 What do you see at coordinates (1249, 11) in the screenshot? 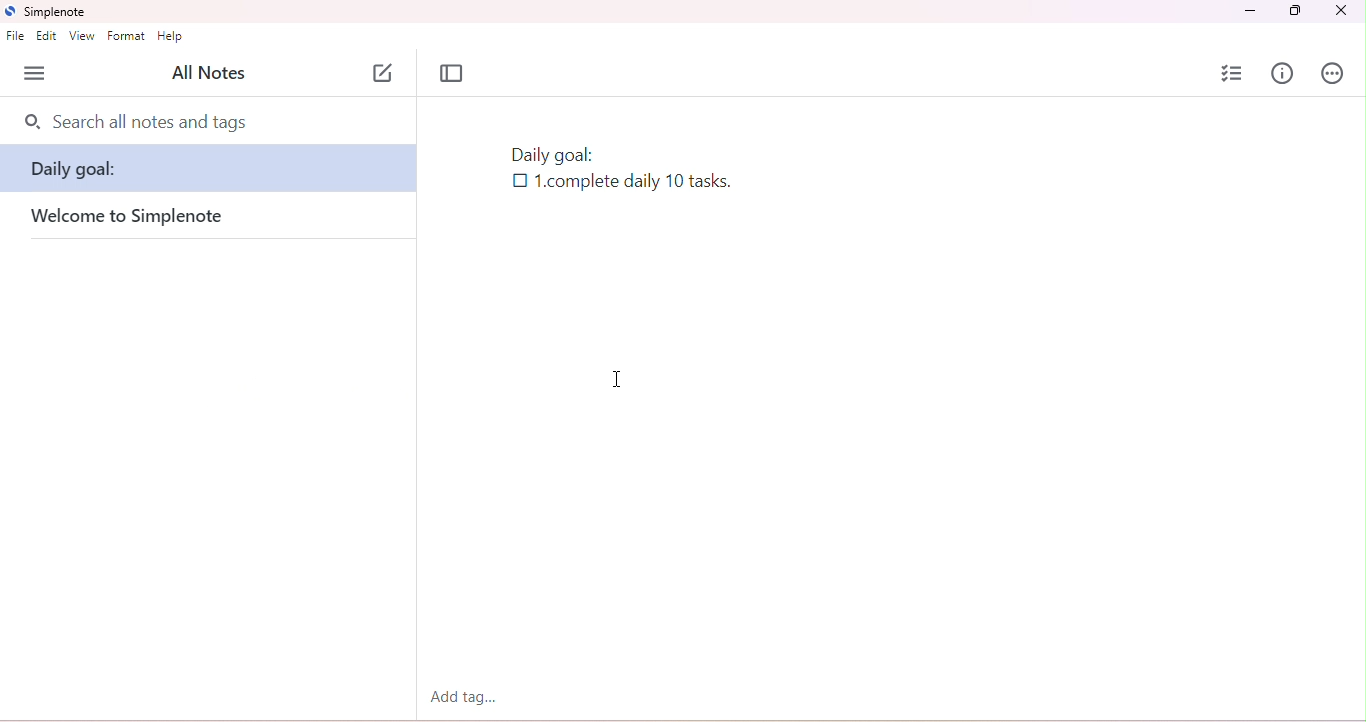
I see `minimize` at bounding box center [1249, 11].